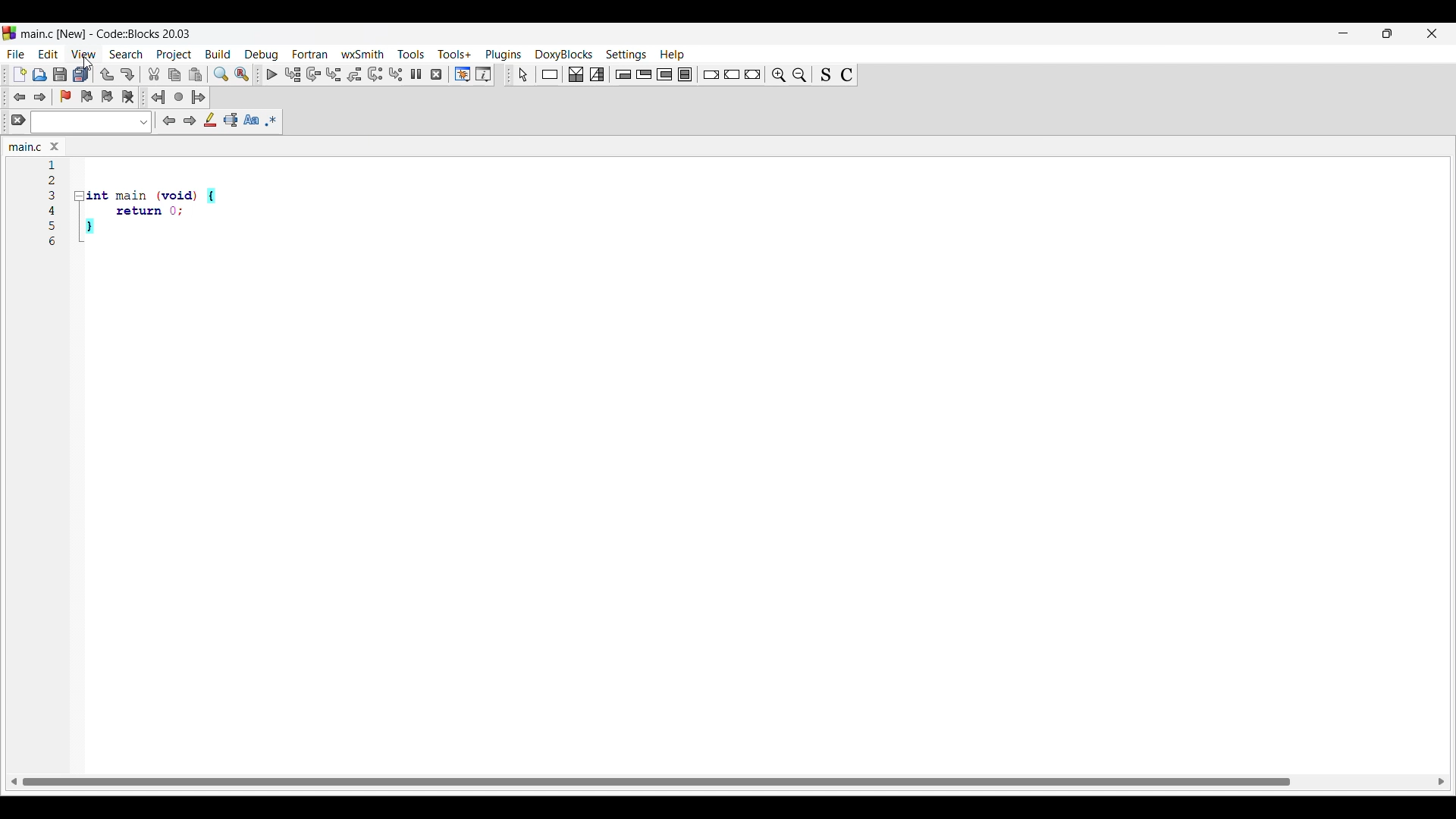 The height and width of the screenshot is (819, 1456). I want to click on Previous bookmark, so click(87, 96).